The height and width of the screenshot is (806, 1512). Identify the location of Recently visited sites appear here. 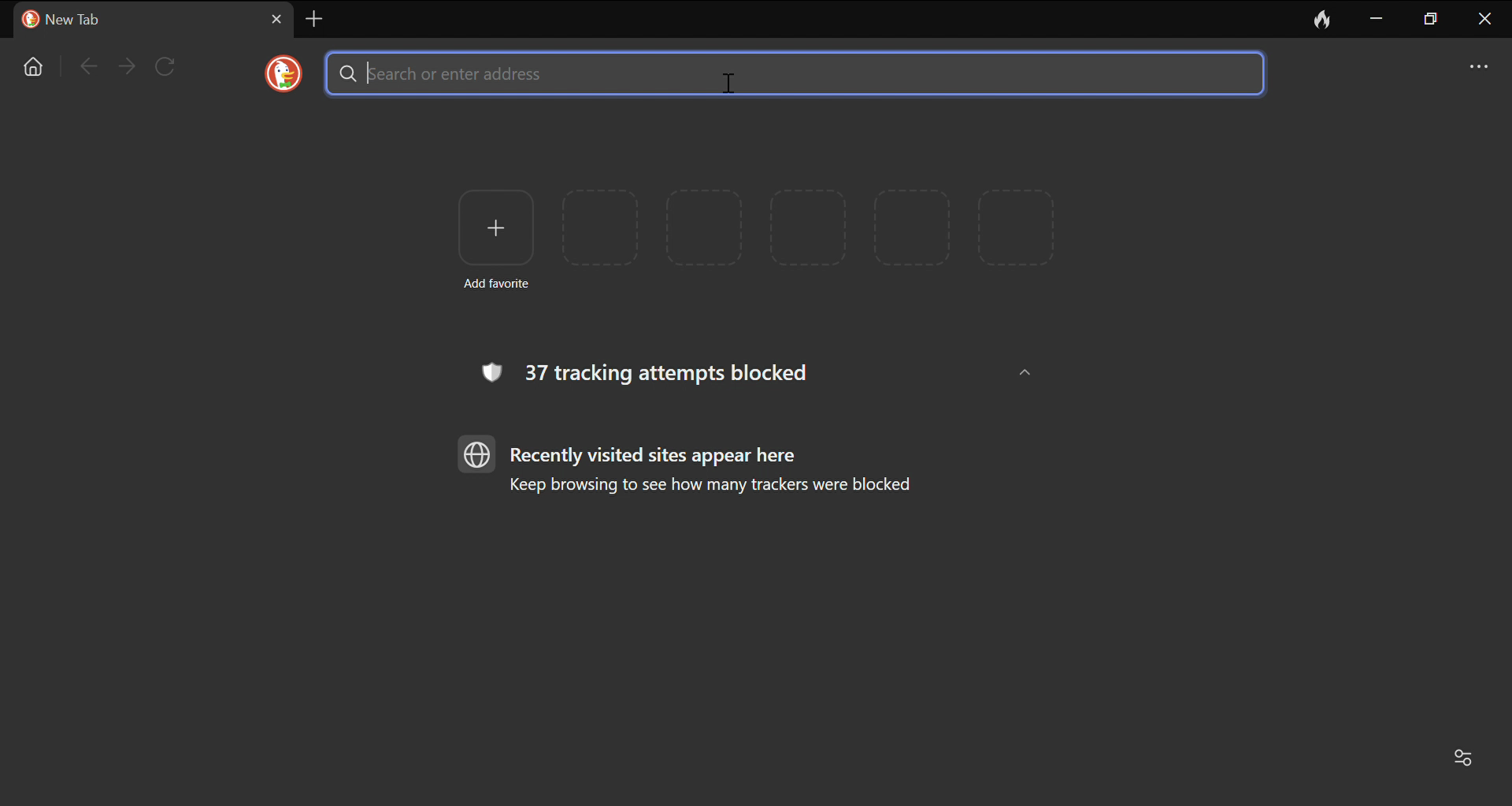
(658, 456).